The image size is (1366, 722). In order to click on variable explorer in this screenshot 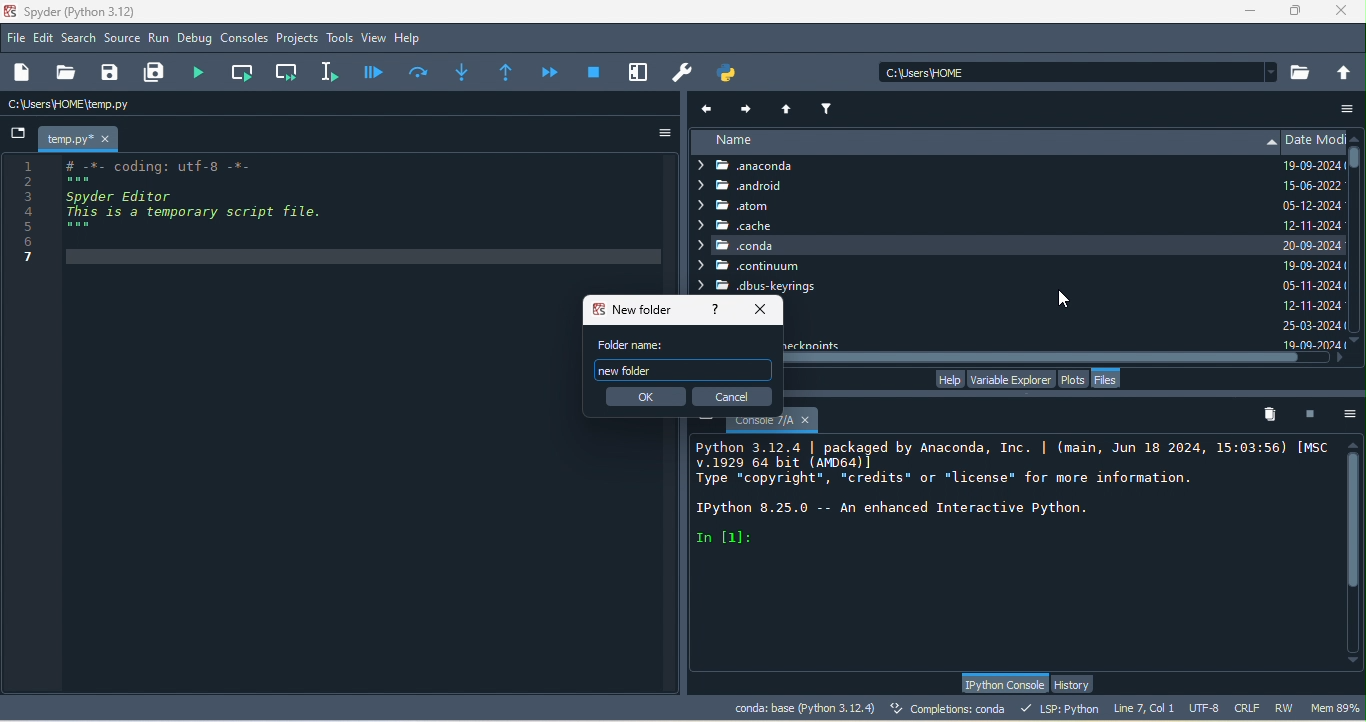, I will do `click(1010, 378)`.